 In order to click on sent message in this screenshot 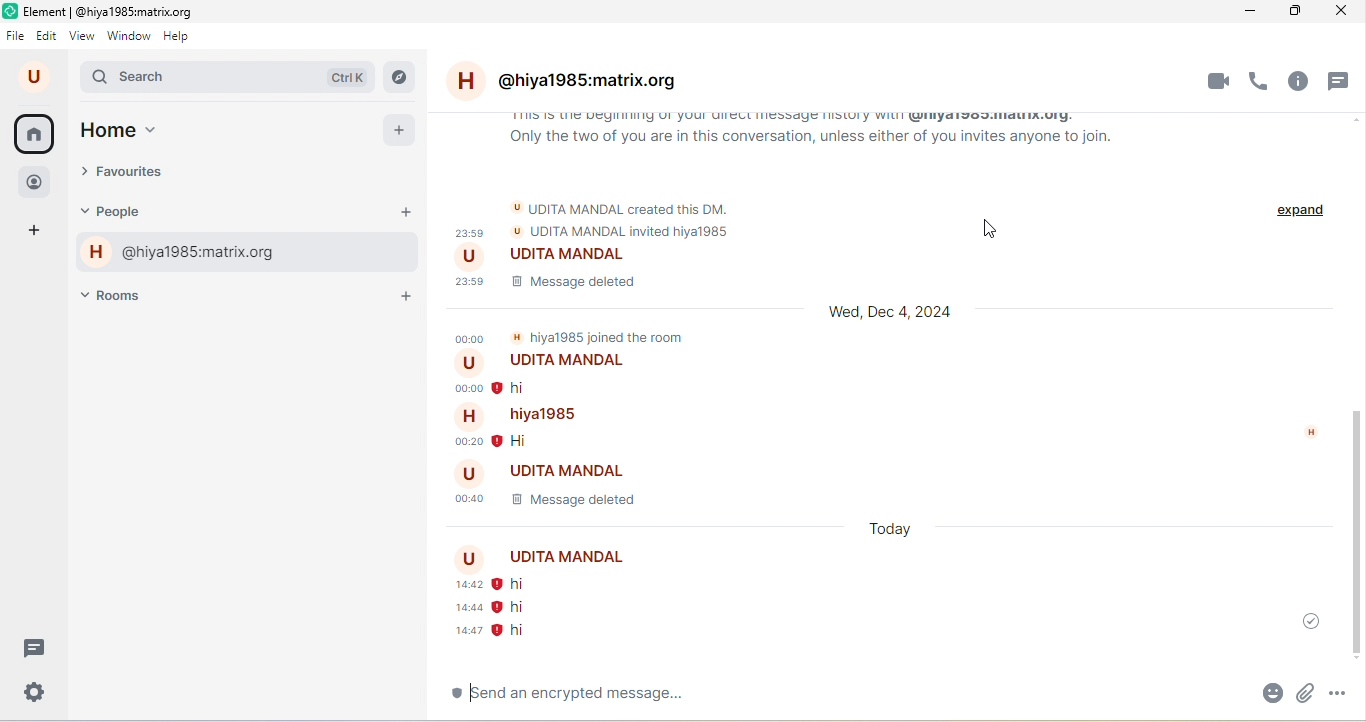, I will do `click(493, 632)`.